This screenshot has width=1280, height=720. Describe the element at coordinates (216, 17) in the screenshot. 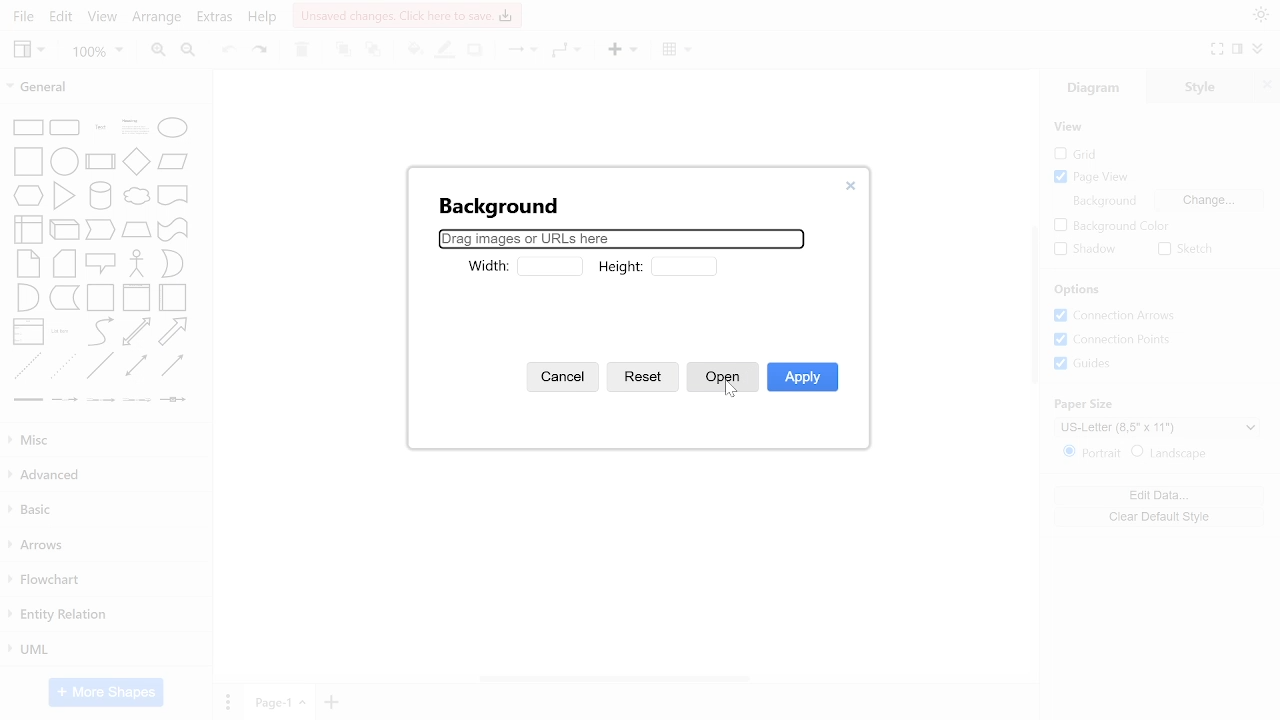

I see `extras` at that location.